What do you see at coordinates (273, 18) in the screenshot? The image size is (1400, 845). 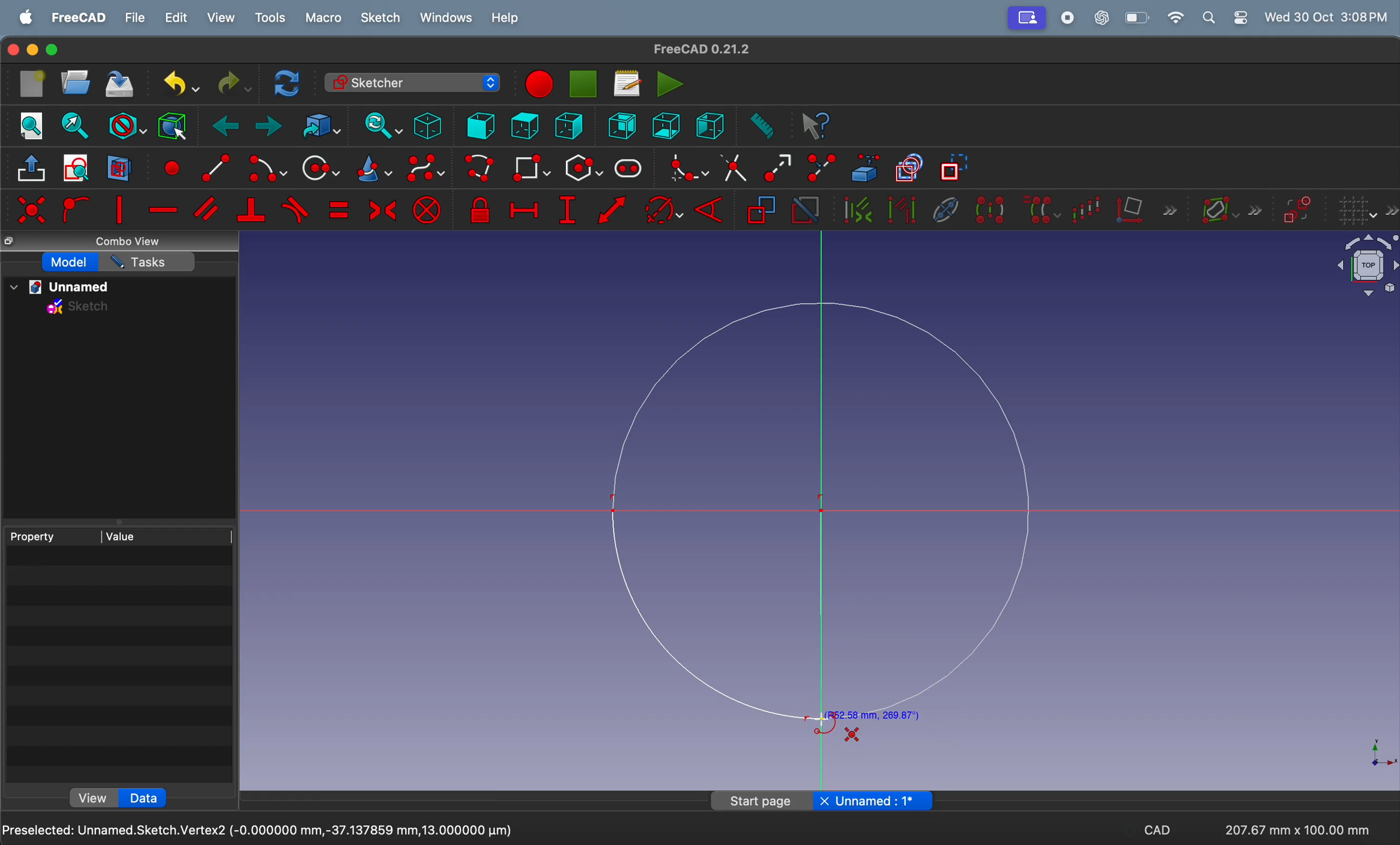 I see `tools` at bounding box center [273, 18].